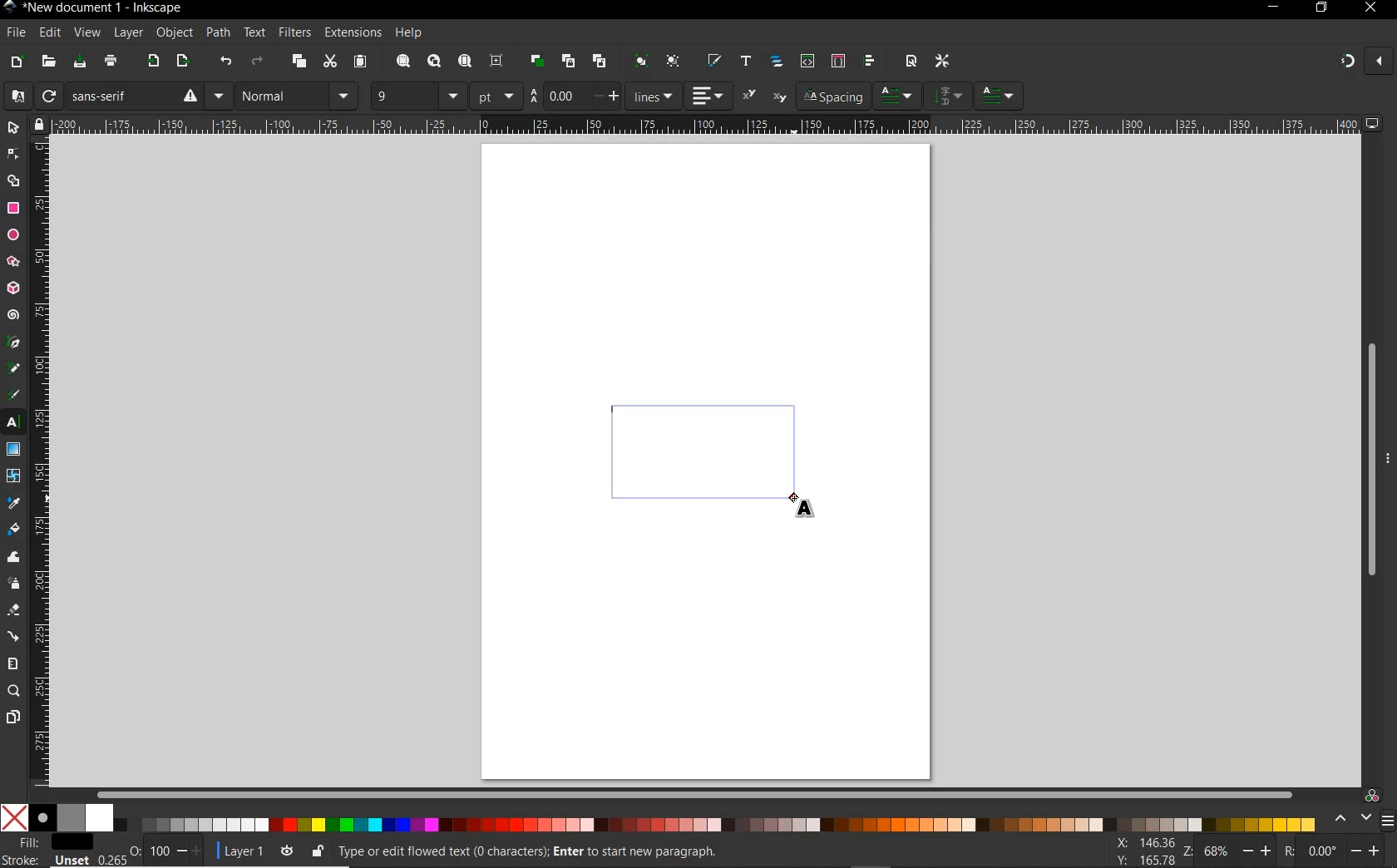  Describe the element at coordinates (12, 369) in the screenshot. I see `pencil tool` at that location.